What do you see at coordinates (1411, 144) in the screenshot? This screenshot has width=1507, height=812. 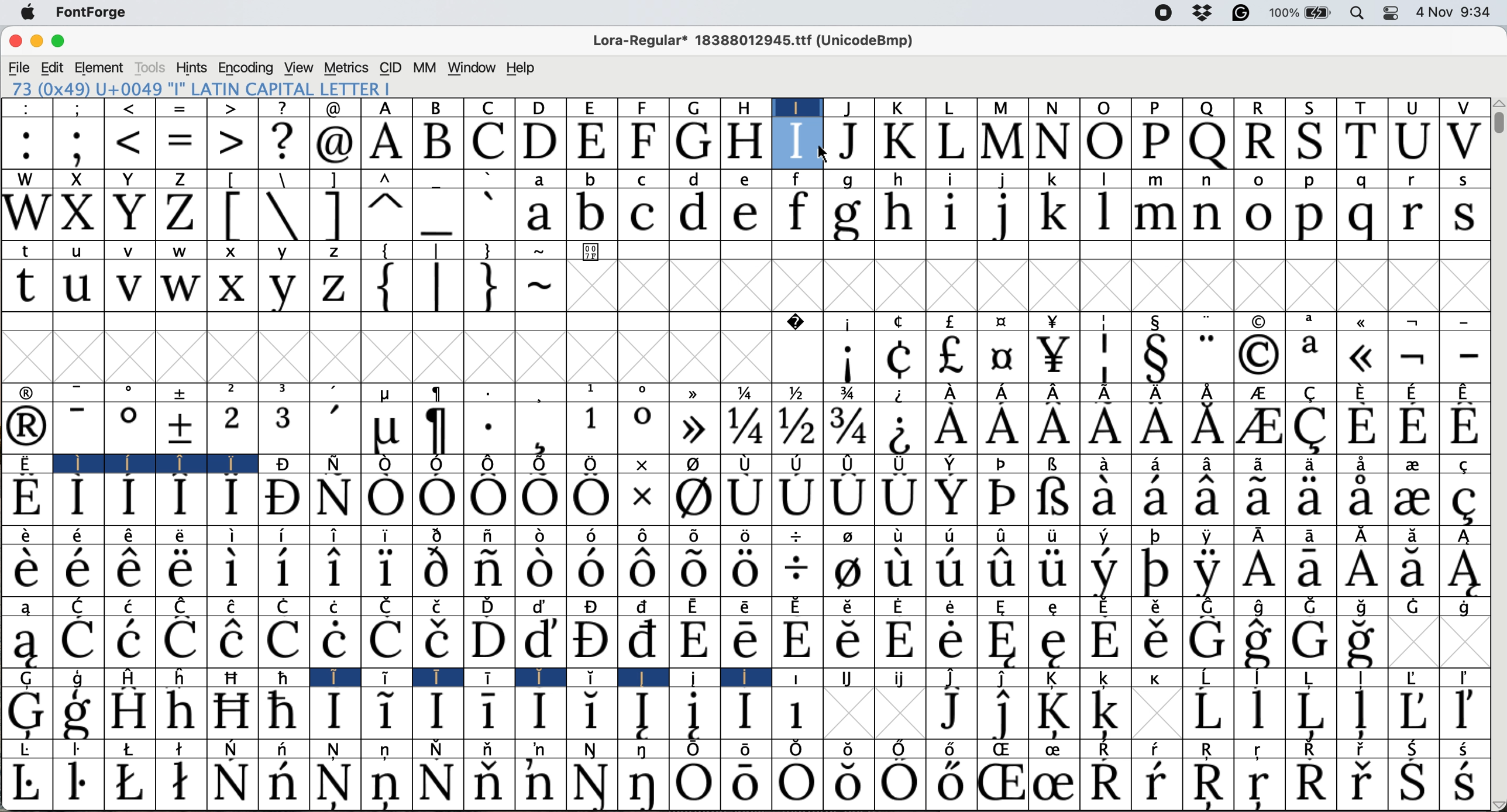 I see `U` at bounding box center [1411, 144].